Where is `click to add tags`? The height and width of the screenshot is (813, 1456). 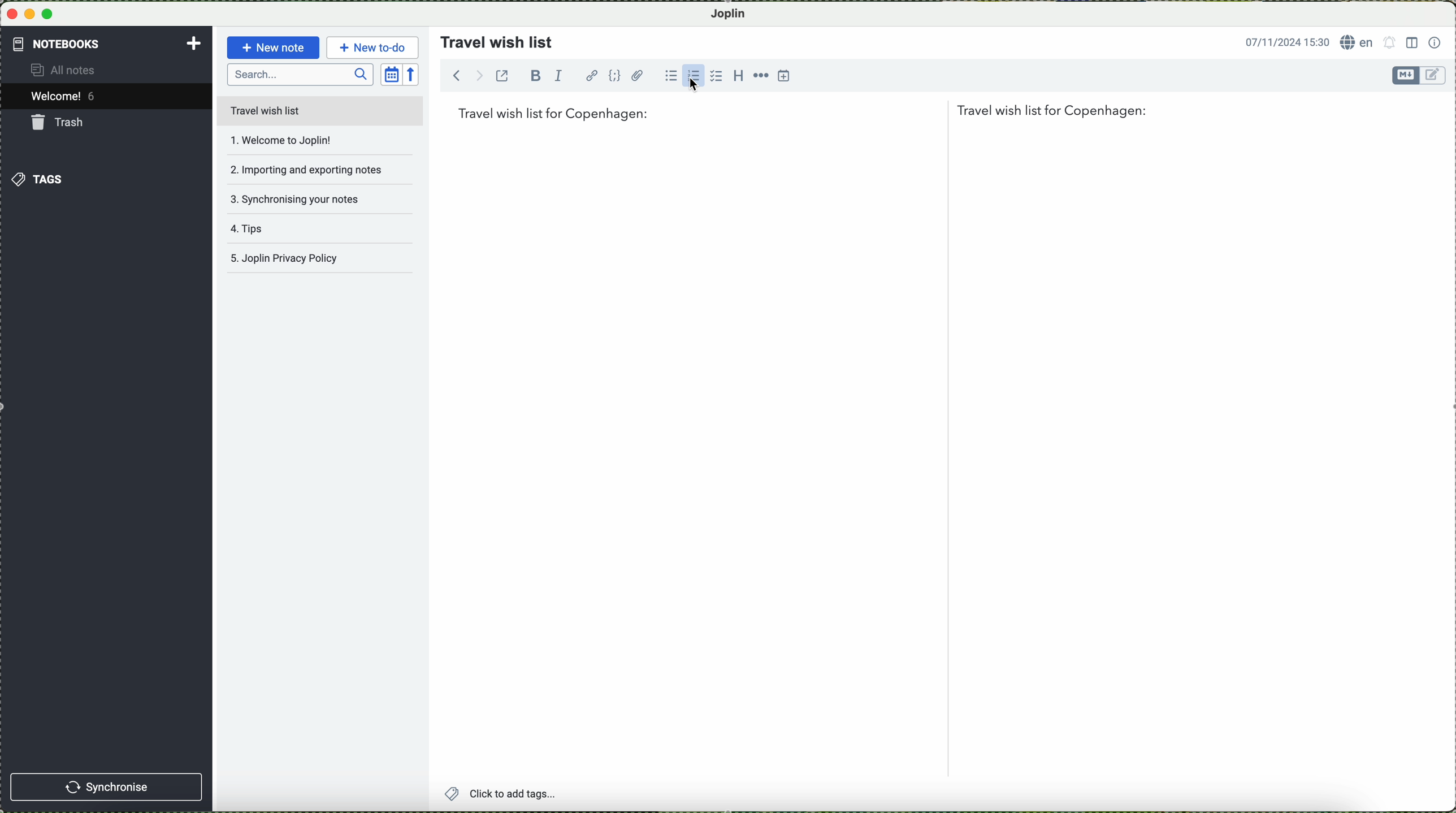 click to add tags is located at coordinates (530, 794).